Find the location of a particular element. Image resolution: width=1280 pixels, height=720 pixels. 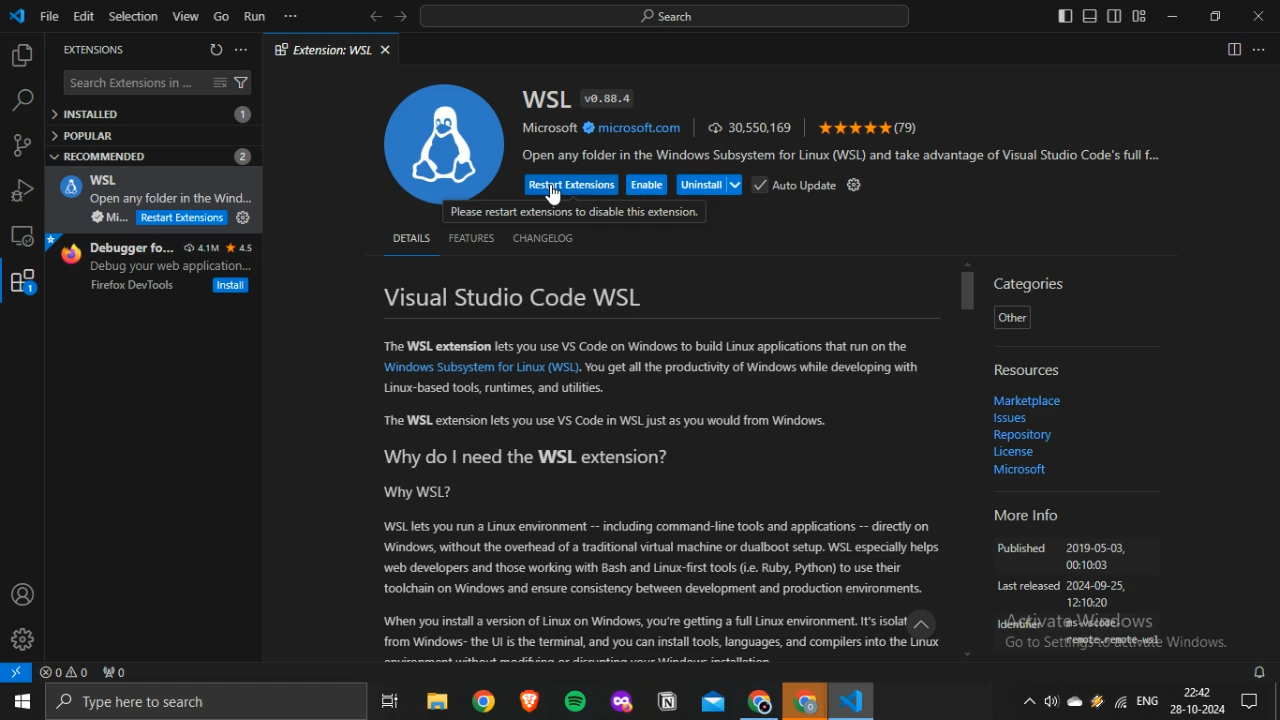

customize layout is located at coordinates (1139, 16).